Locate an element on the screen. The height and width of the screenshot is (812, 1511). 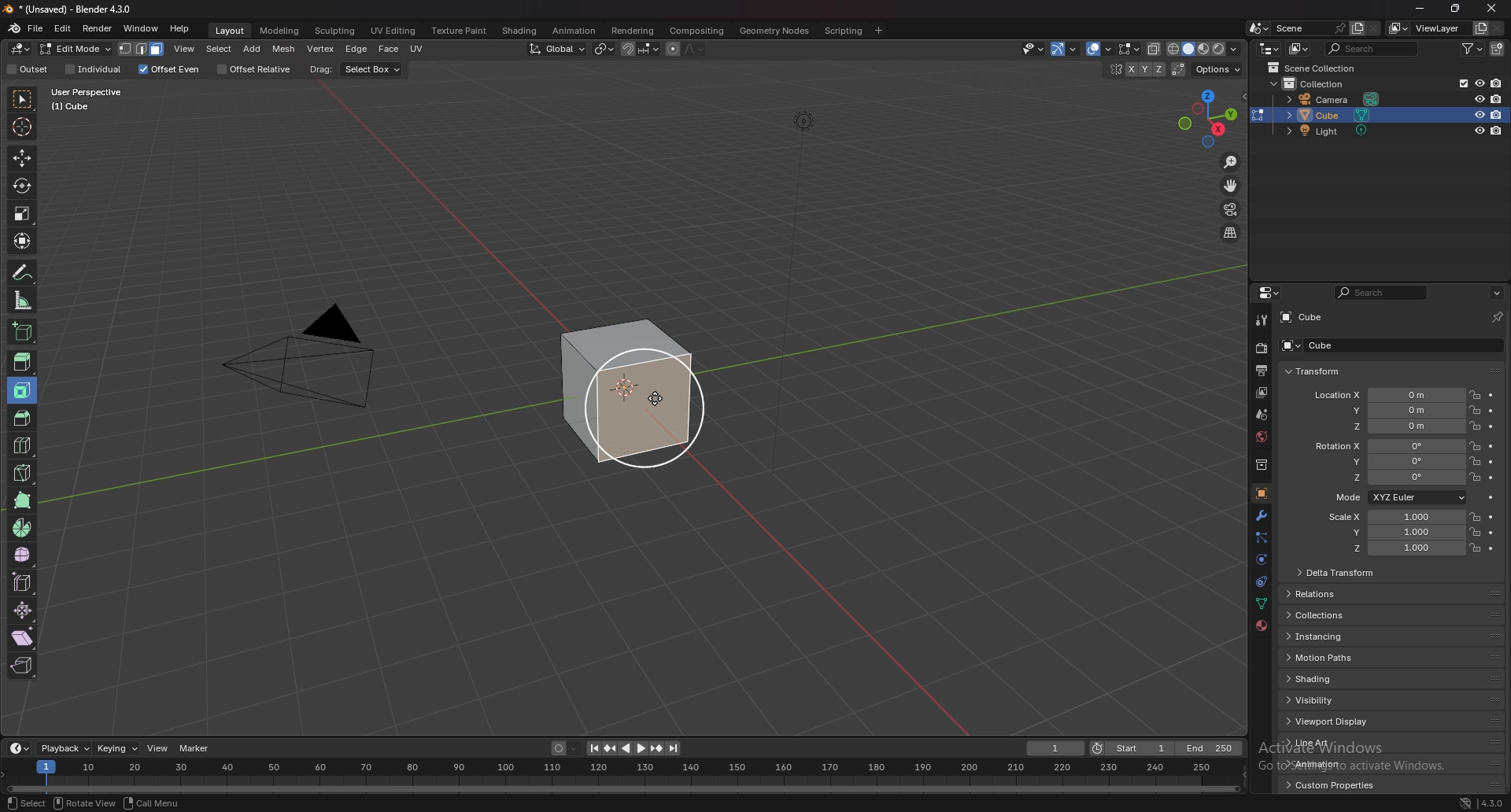
pyramid is located at coordinates (304, 369).